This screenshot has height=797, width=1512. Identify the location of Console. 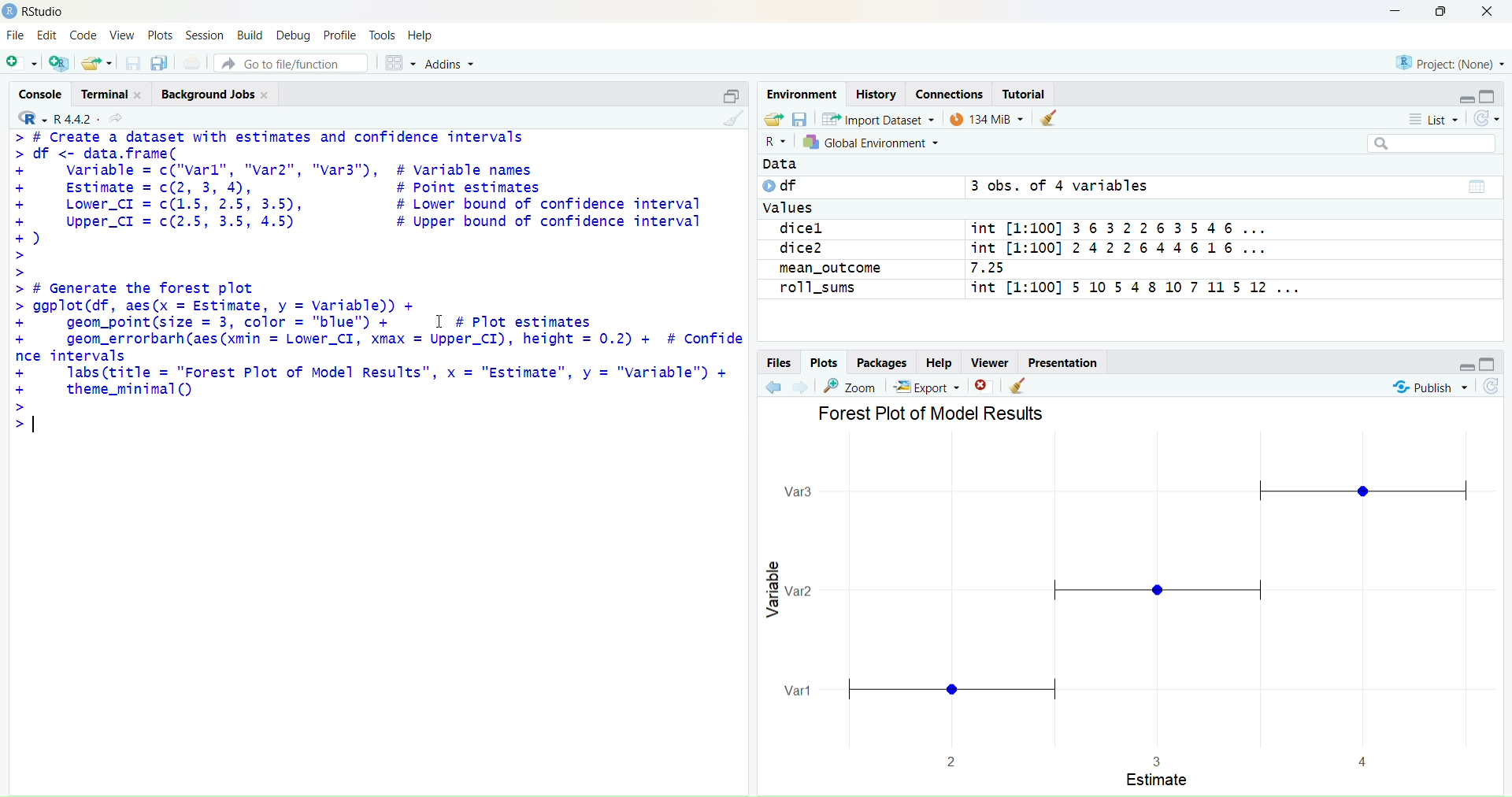
(41, 93).